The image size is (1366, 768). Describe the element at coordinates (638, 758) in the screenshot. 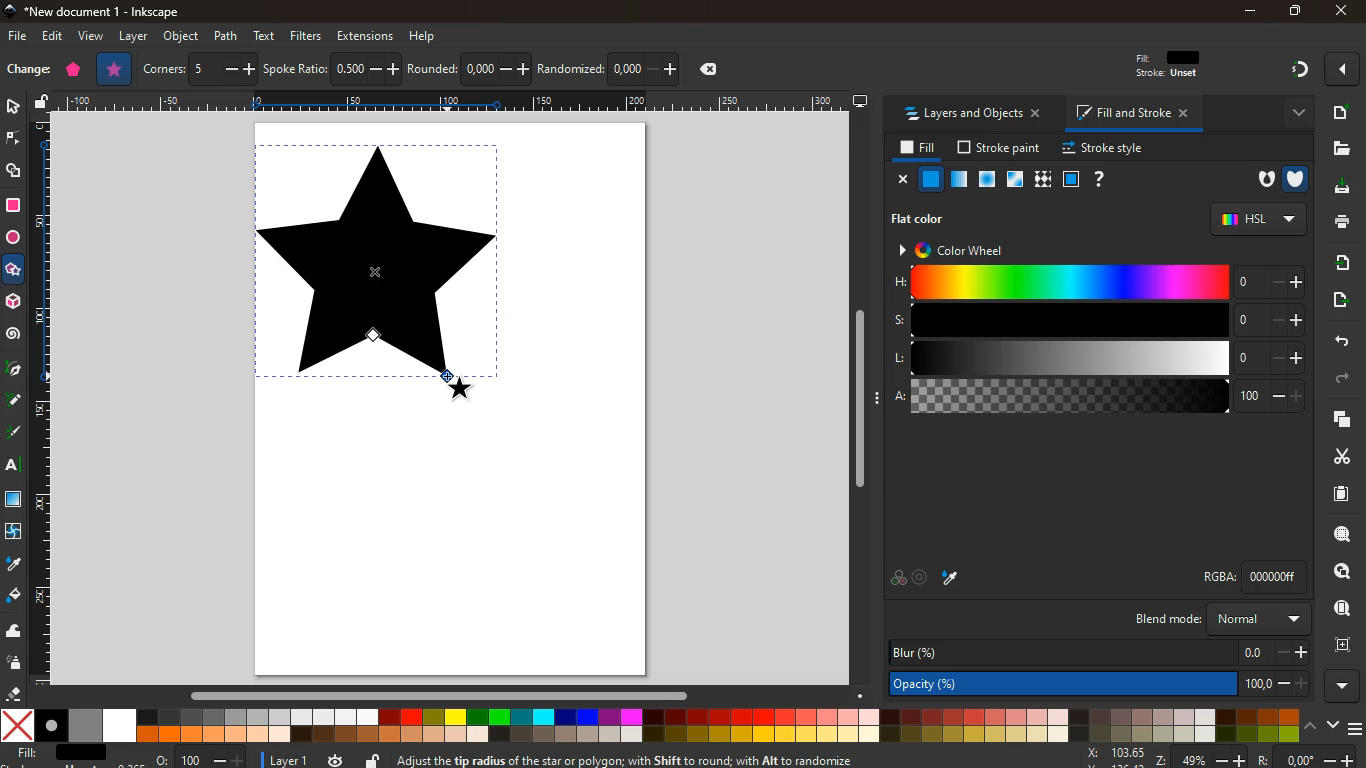

I see `Adjust the tip radius of the star or polygon with Shift to round; with Alt to randomize` at that location.